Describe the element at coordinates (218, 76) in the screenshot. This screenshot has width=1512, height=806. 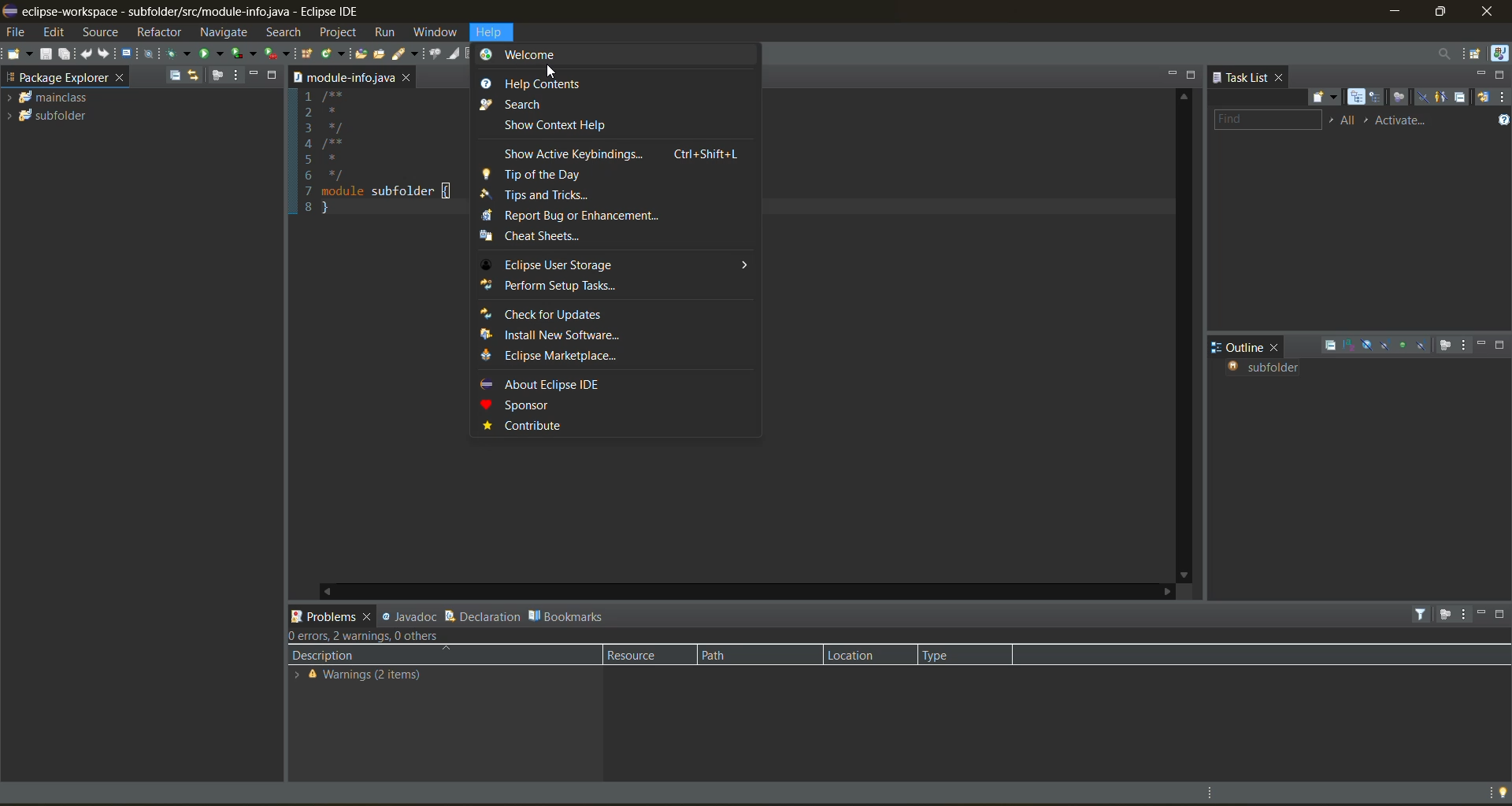
I see `focus on active task` at that location.